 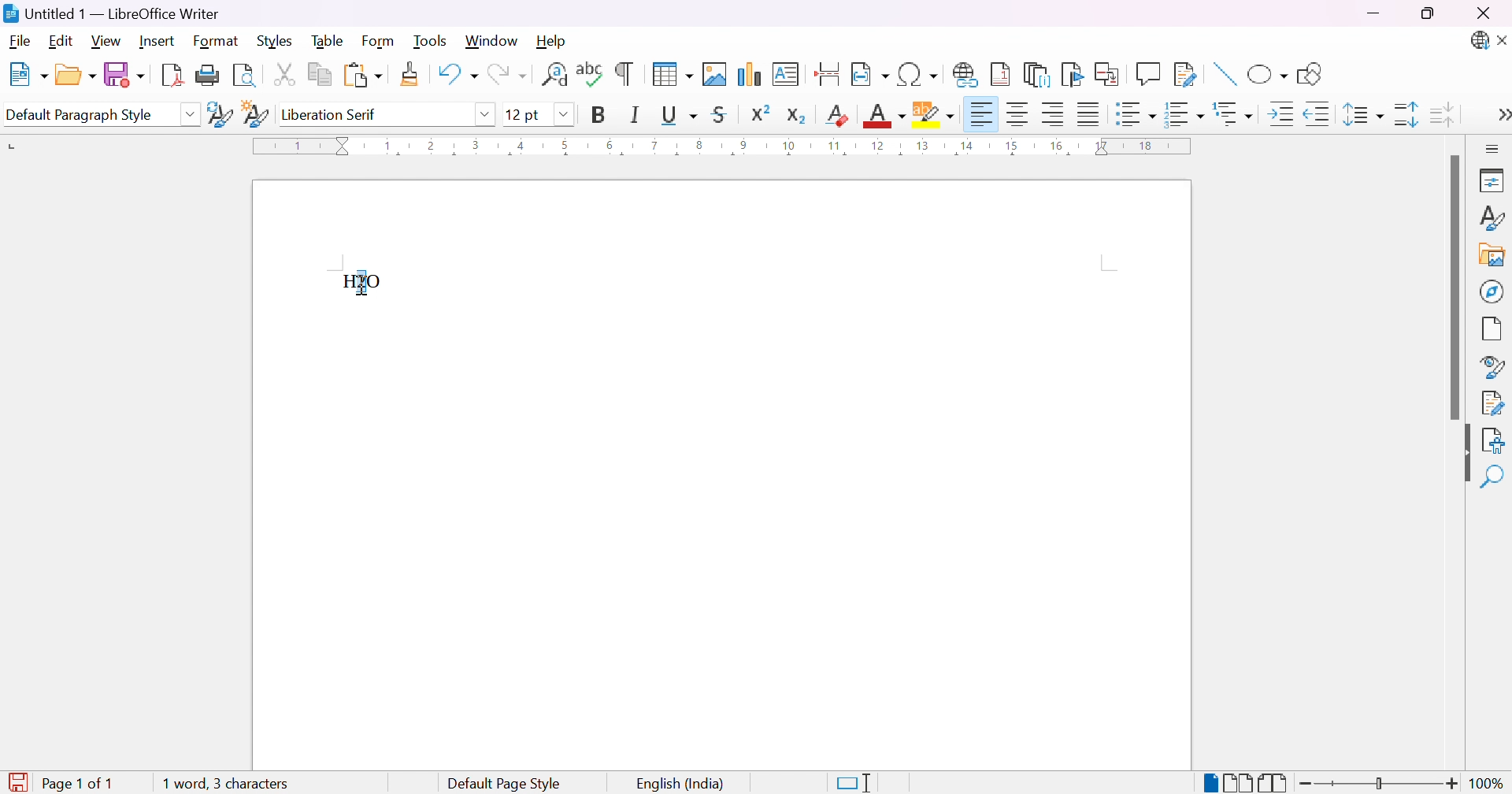 What do you see at coordinates (1492, 291) in the screenshot?
I see `Navigator` at bounding box center [1492, 291].